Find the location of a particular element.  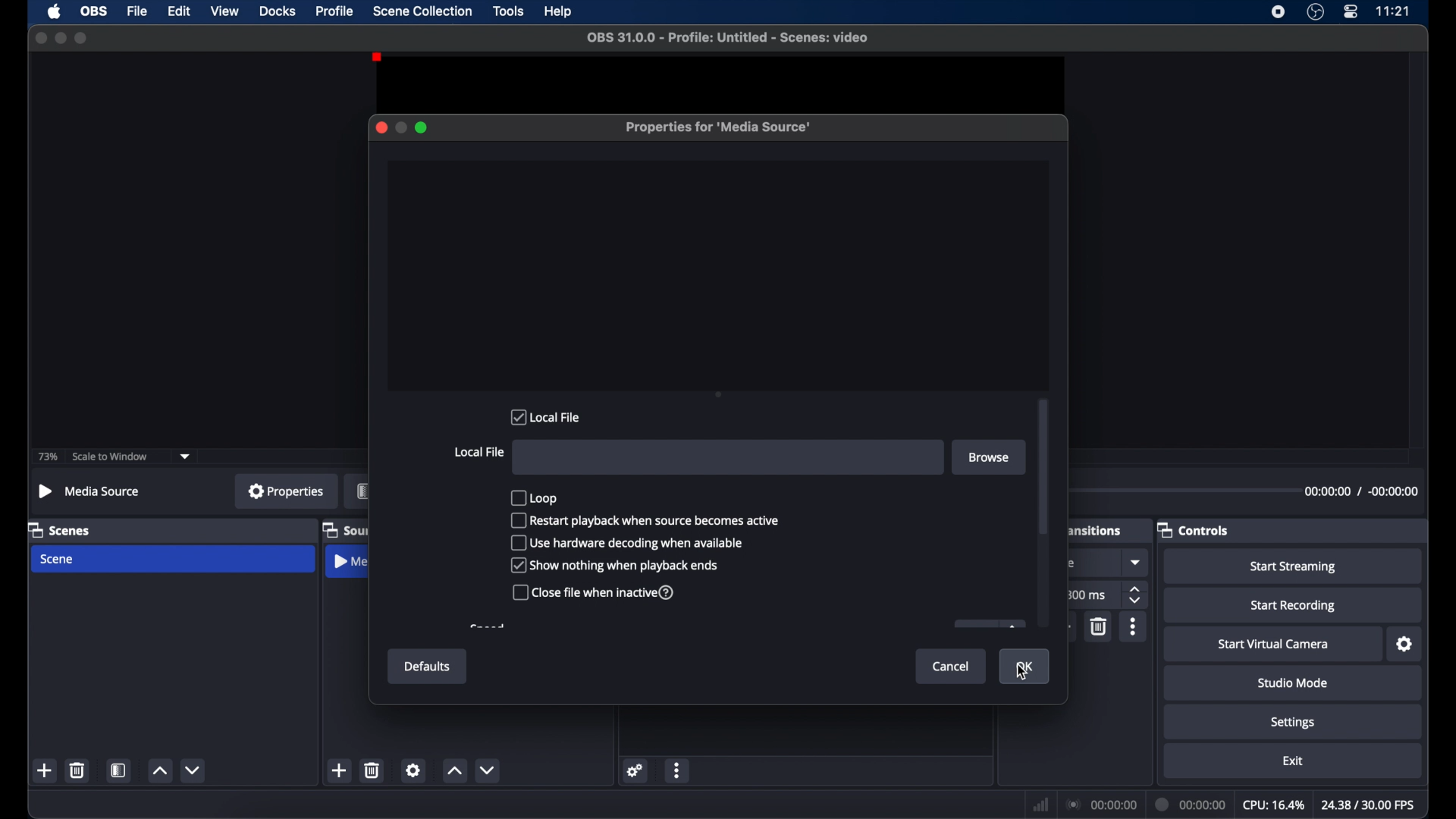

local file is located at coordinates (479, 452).